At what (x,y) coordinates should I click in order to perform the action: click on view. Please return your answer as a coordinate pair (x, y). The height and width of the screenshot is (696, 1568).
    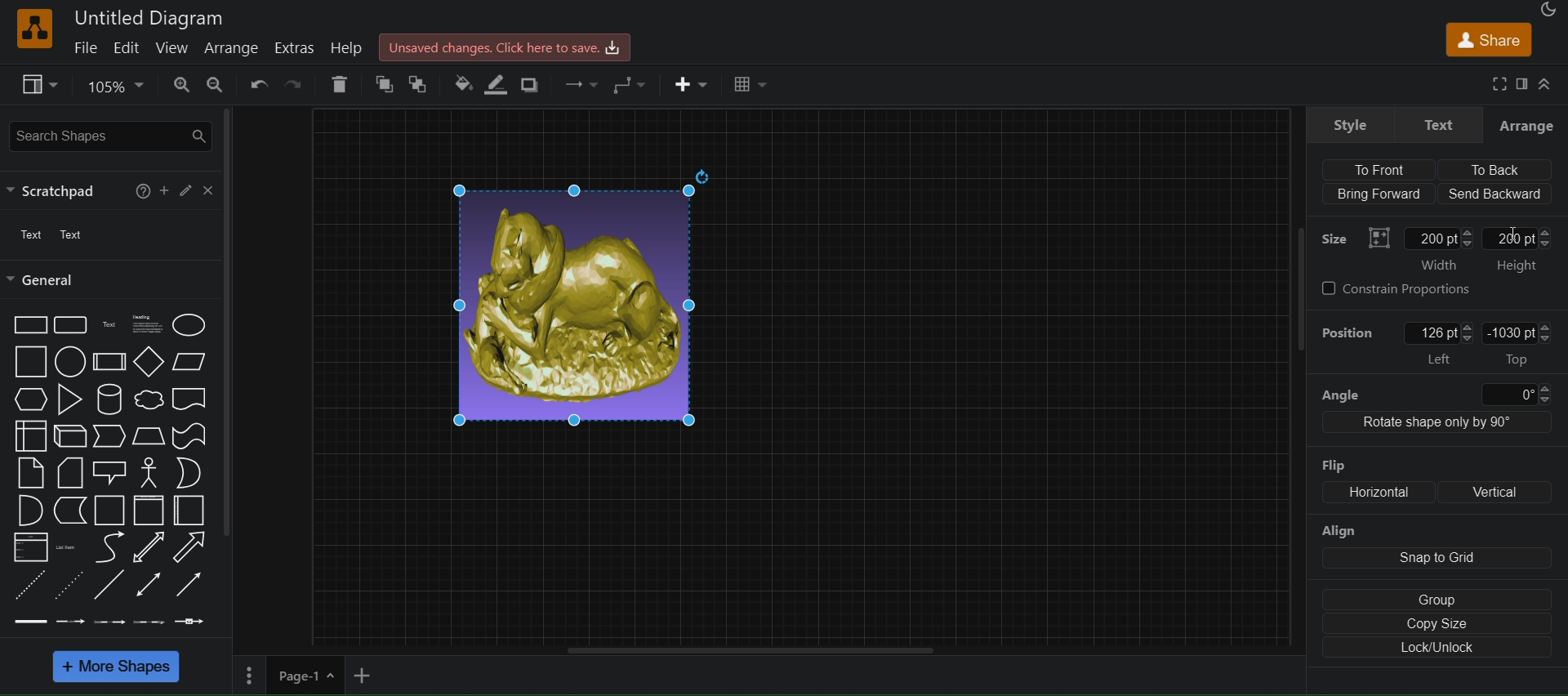
    Looking at the image, I should click on (40, 84).